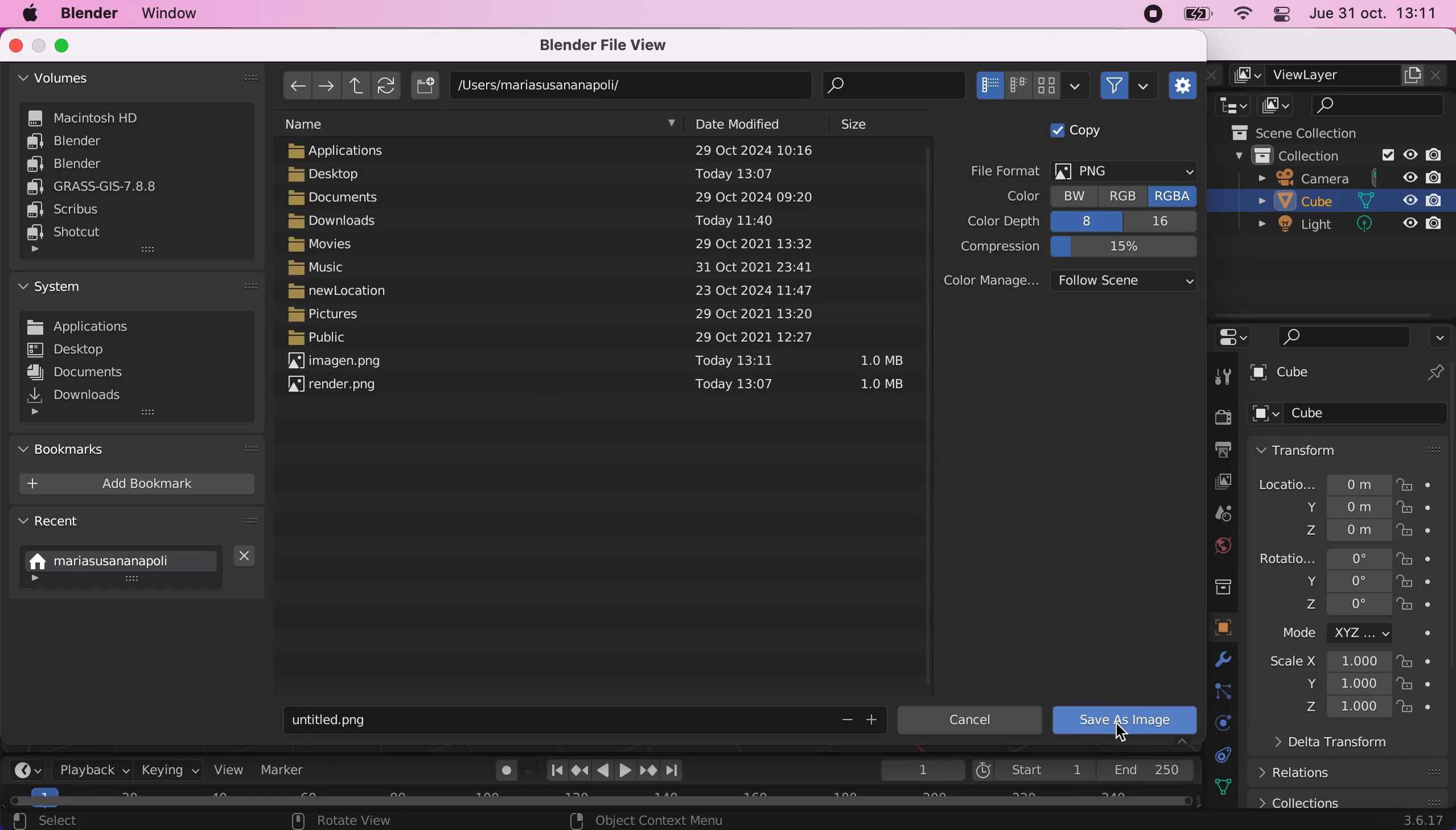  What do you see at coordinates (1335, 337) in the screenshot?
I see `search bar` at bounding box center [1335, 337].